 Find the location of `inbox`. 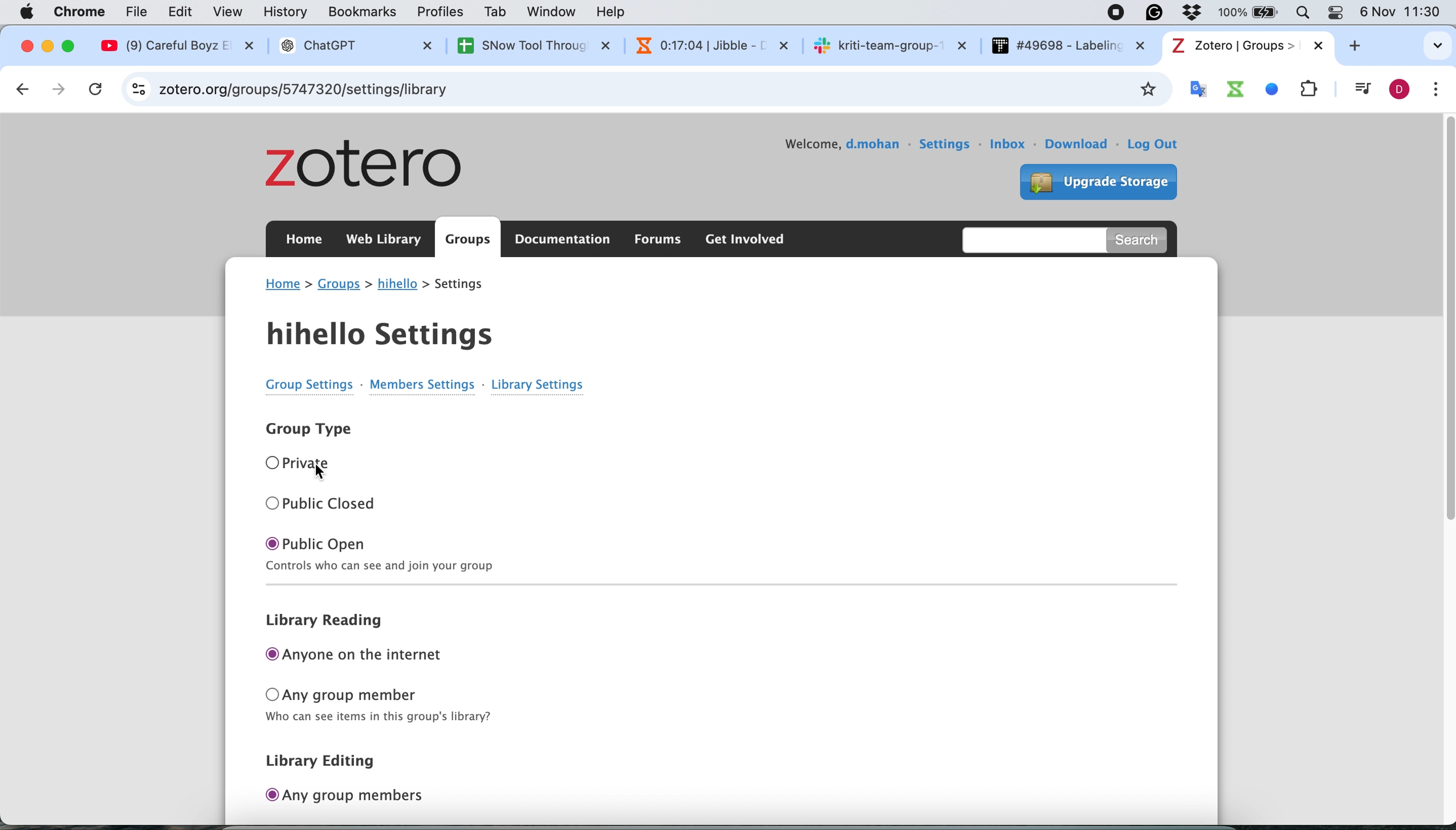

inbox is located at coordinates (1010, 144).